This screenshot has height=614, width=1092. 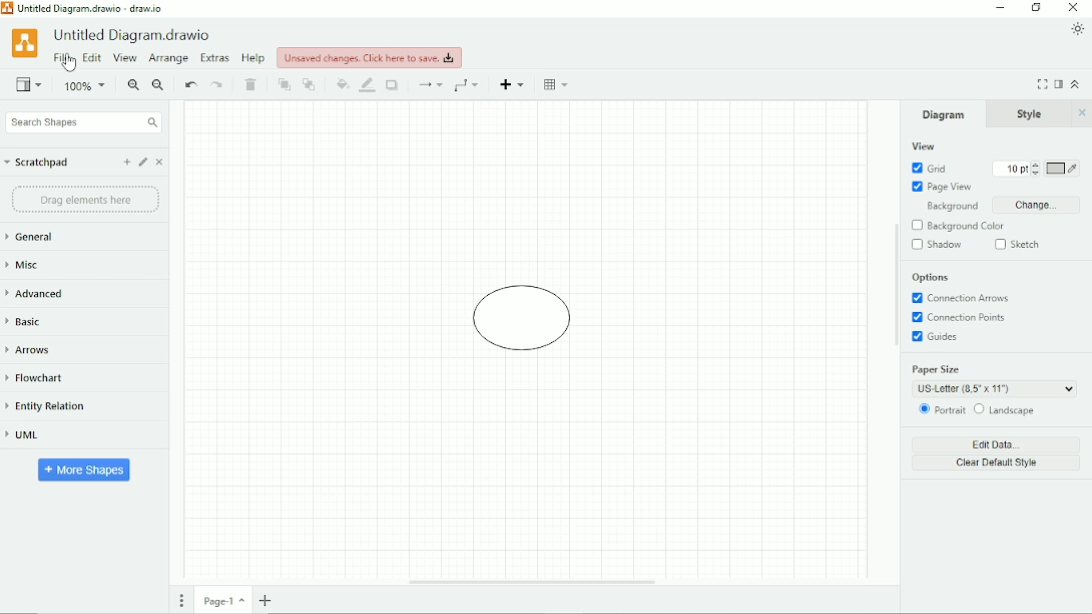 What do you see at coordinates (922, 146) in the screenshot?
I see `View` at bounding box center [922, 146].